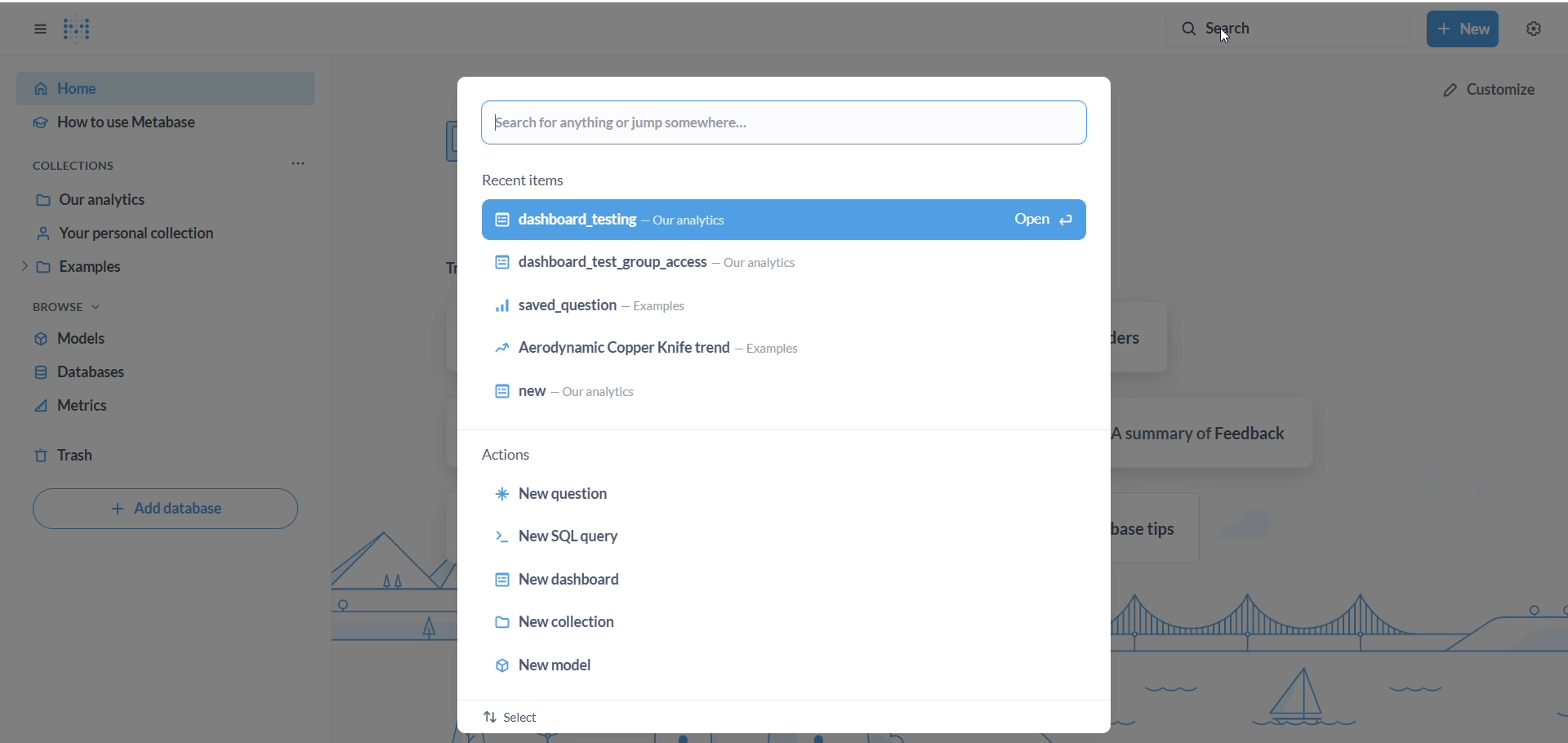 This screenshot has height=743, width=1568. I want to click on new dashboard, so click(757, 581).